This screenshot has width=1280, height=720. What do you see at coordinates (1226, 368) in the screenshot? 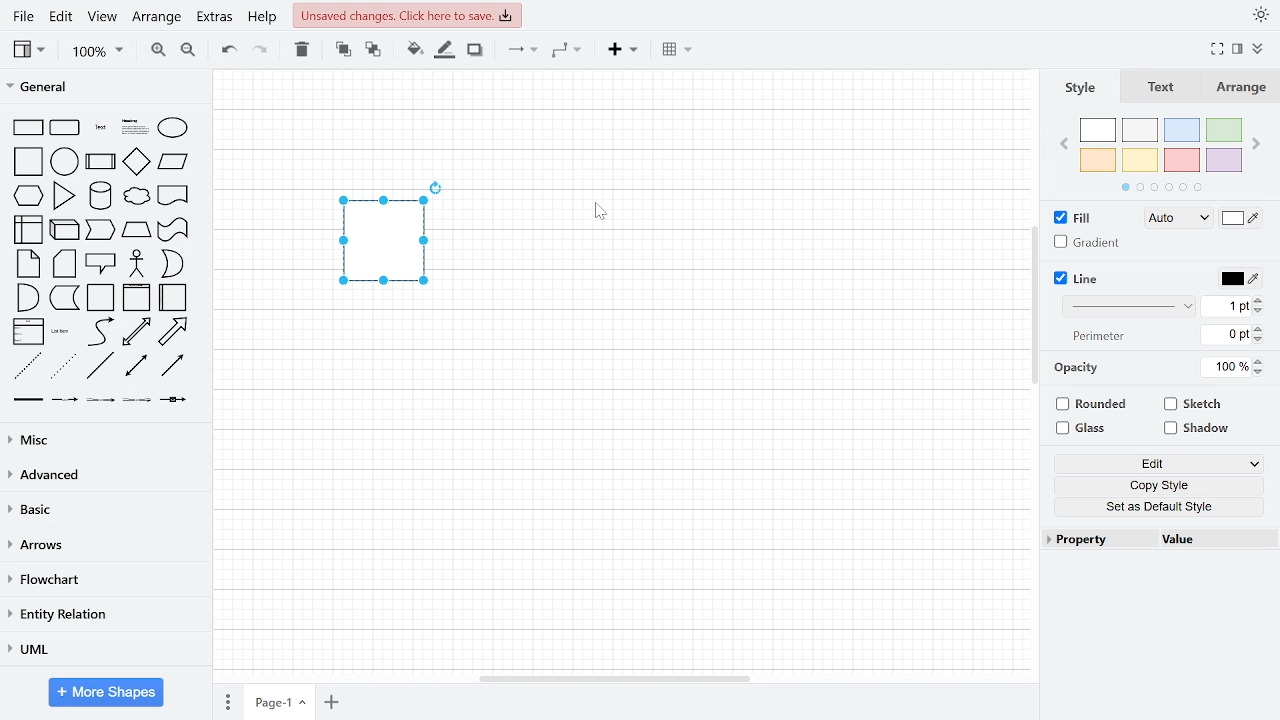
I see `current opacity` at bounding box center [1226, 368].